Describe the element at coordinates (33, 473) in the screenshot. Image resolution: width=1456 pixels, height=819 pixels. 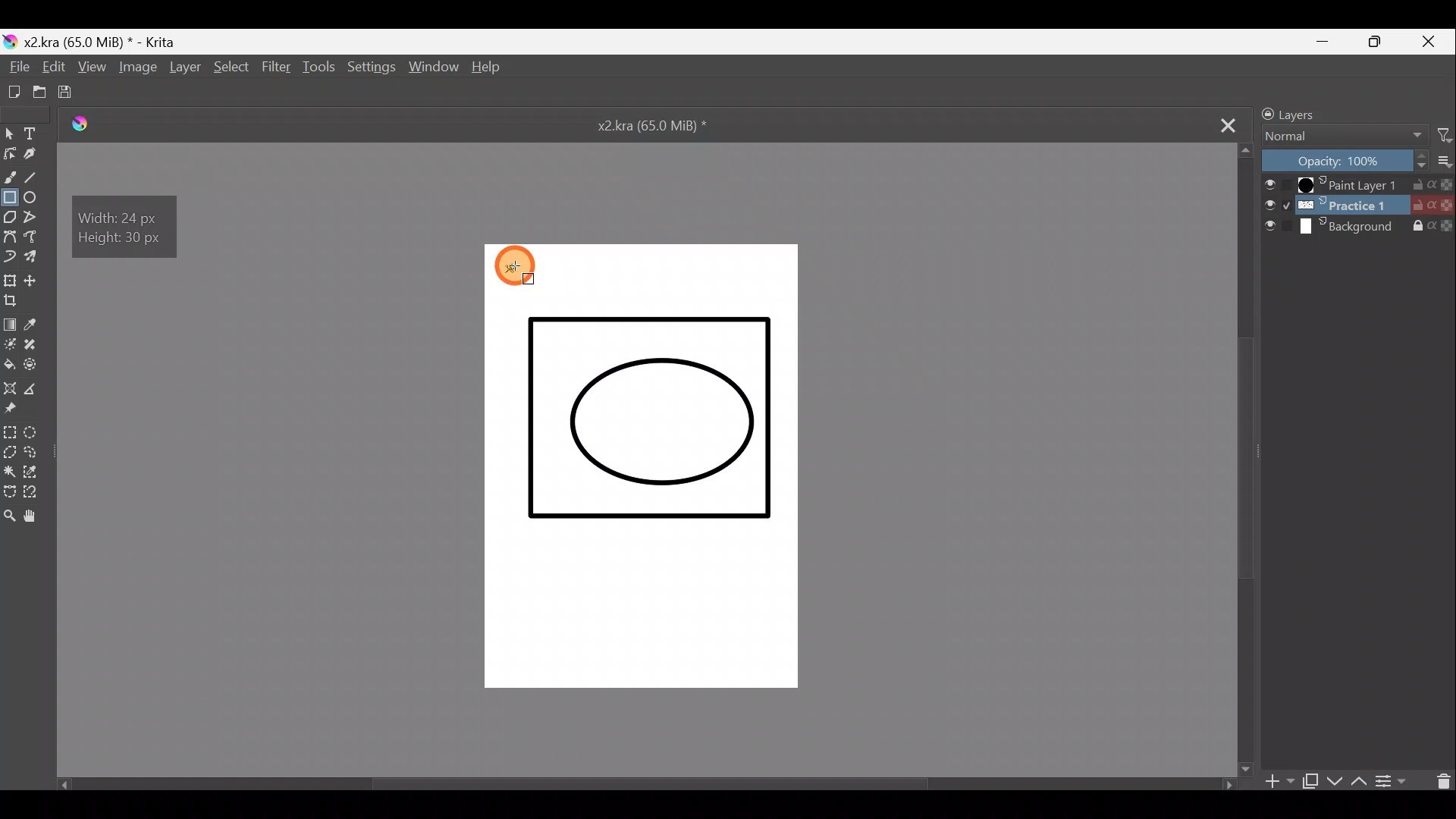
I see `Similar colour selection tool` at that location.